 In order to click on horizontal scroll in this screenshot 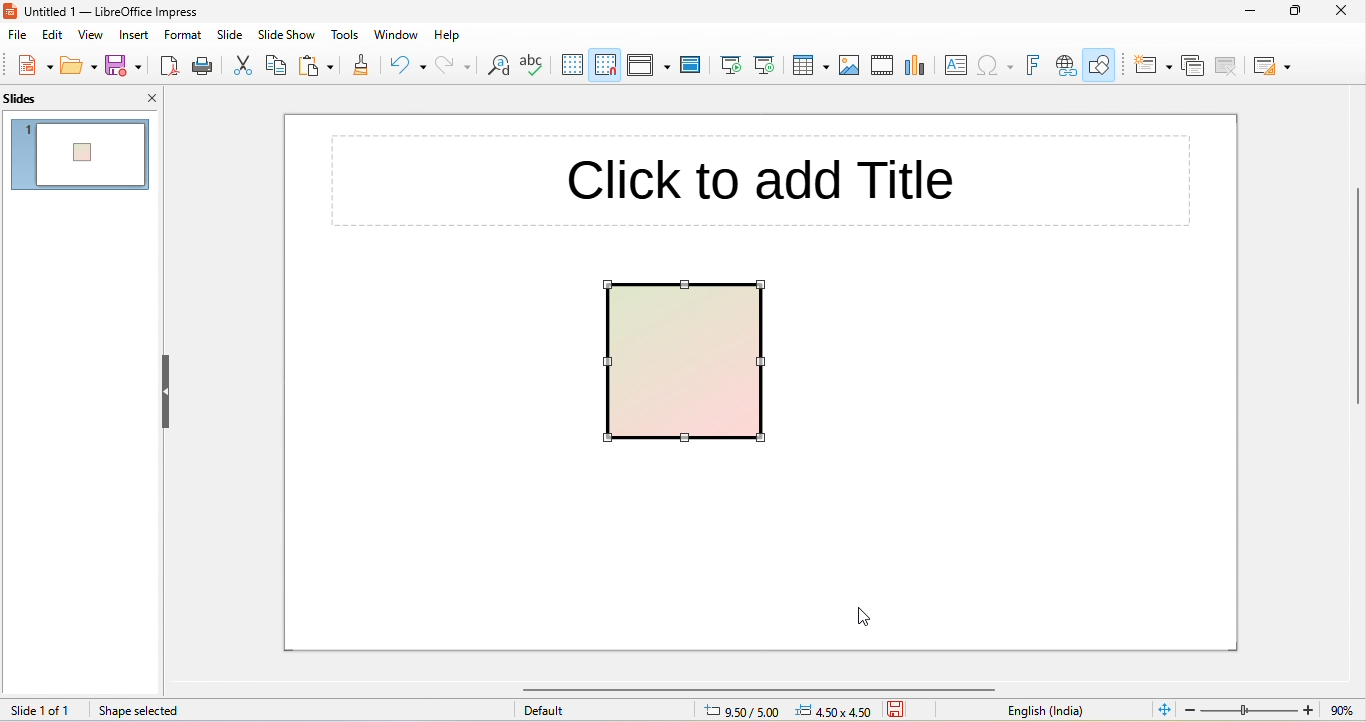, I will do `click(741, 689)`.